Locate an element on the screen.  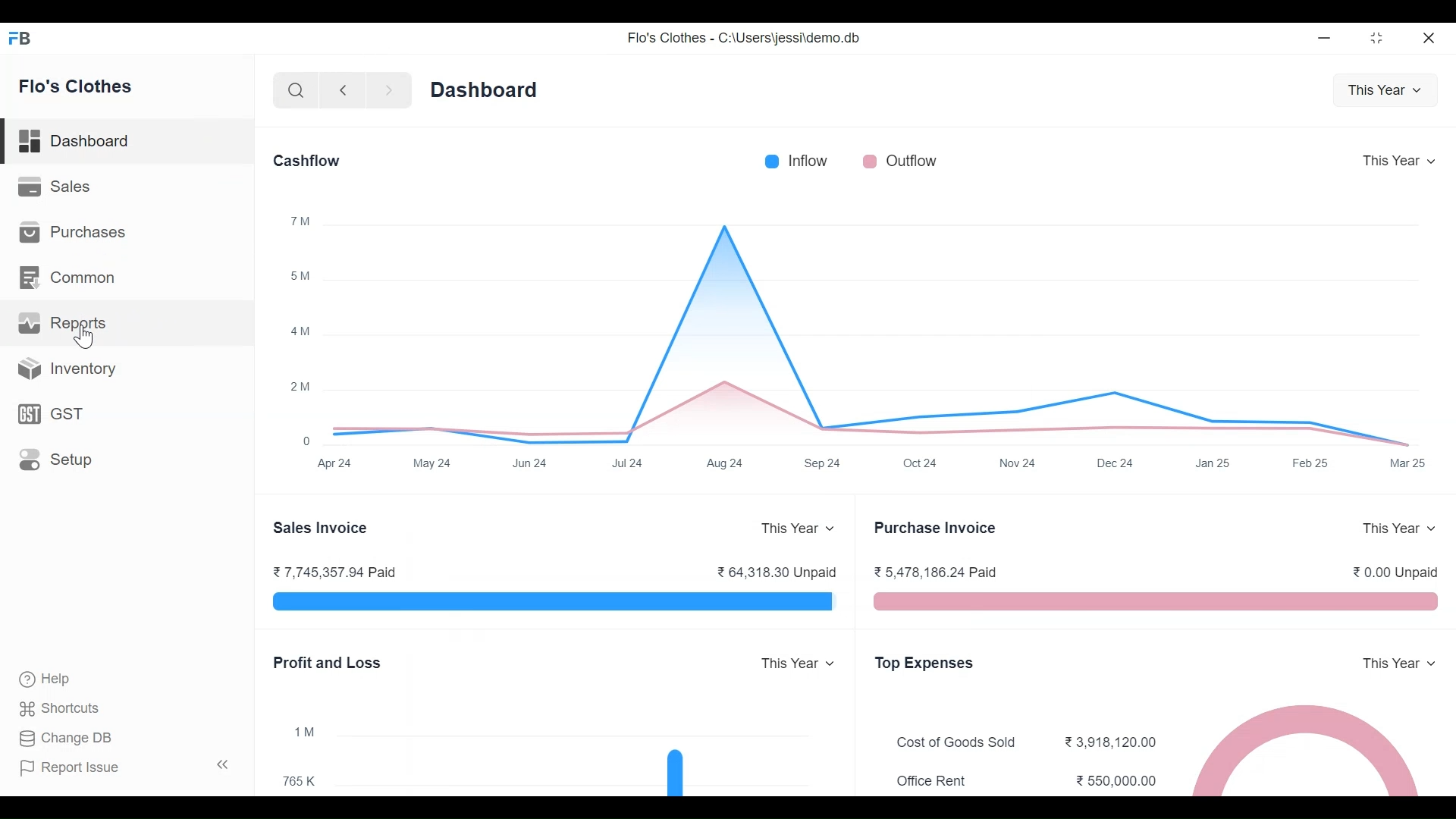
Flo's Clothes is located at coordinates (77, 88).